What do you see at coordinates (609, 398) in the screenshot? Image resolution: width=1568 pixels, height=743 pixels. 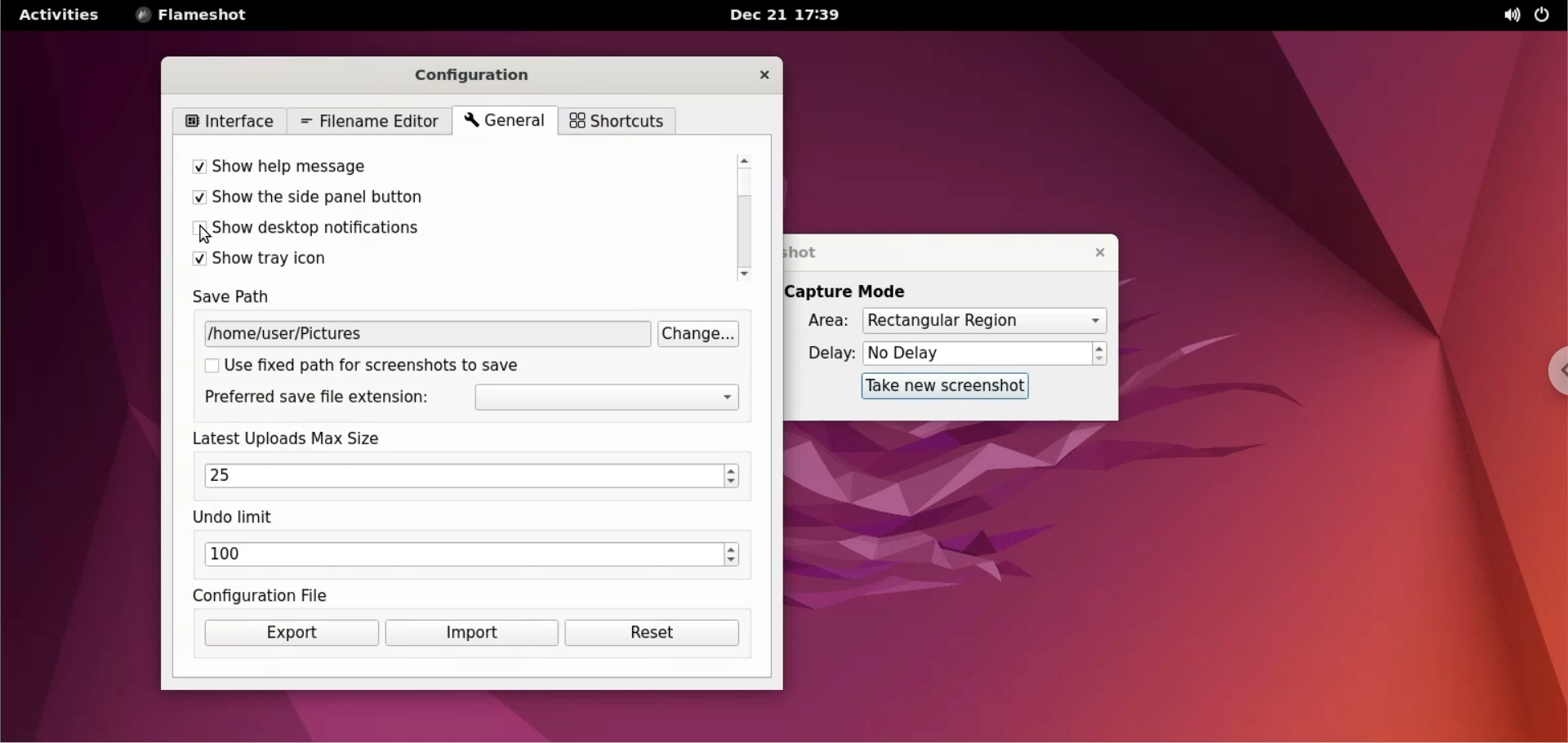 I see `extension dropdown` at bounding box center [609, 398].